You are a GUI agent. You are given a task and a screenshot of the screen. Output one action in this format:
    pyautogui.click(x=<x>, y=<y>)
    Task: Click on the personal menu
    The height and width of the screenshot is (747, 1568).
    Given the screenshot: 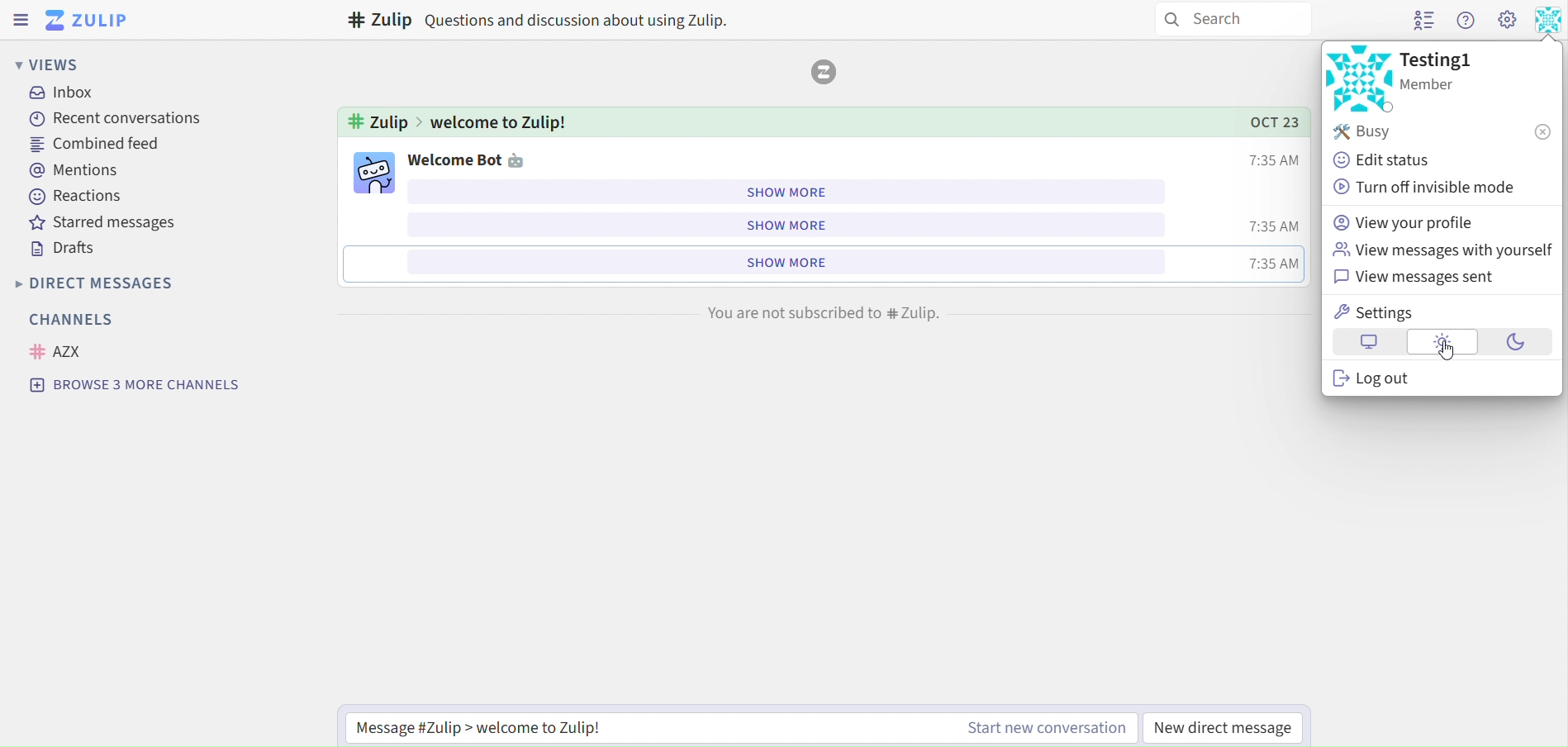 What is the action you would take?
    pyautogui.click(x=1551, y=21)
    